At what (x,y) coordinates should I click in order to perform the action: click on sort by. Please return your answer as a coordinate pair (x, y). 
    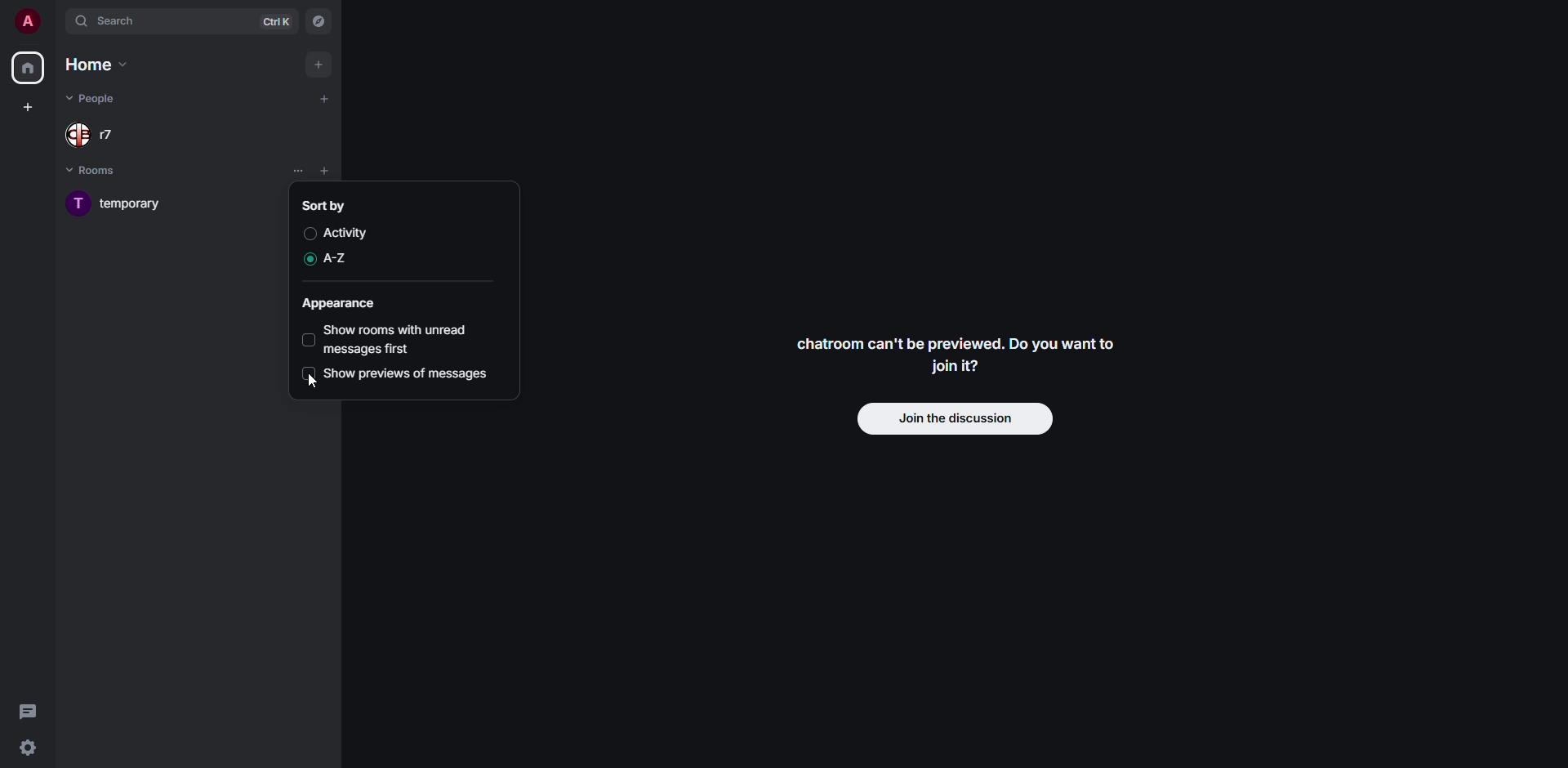
    Looking at the image, I should click on (322, 204).